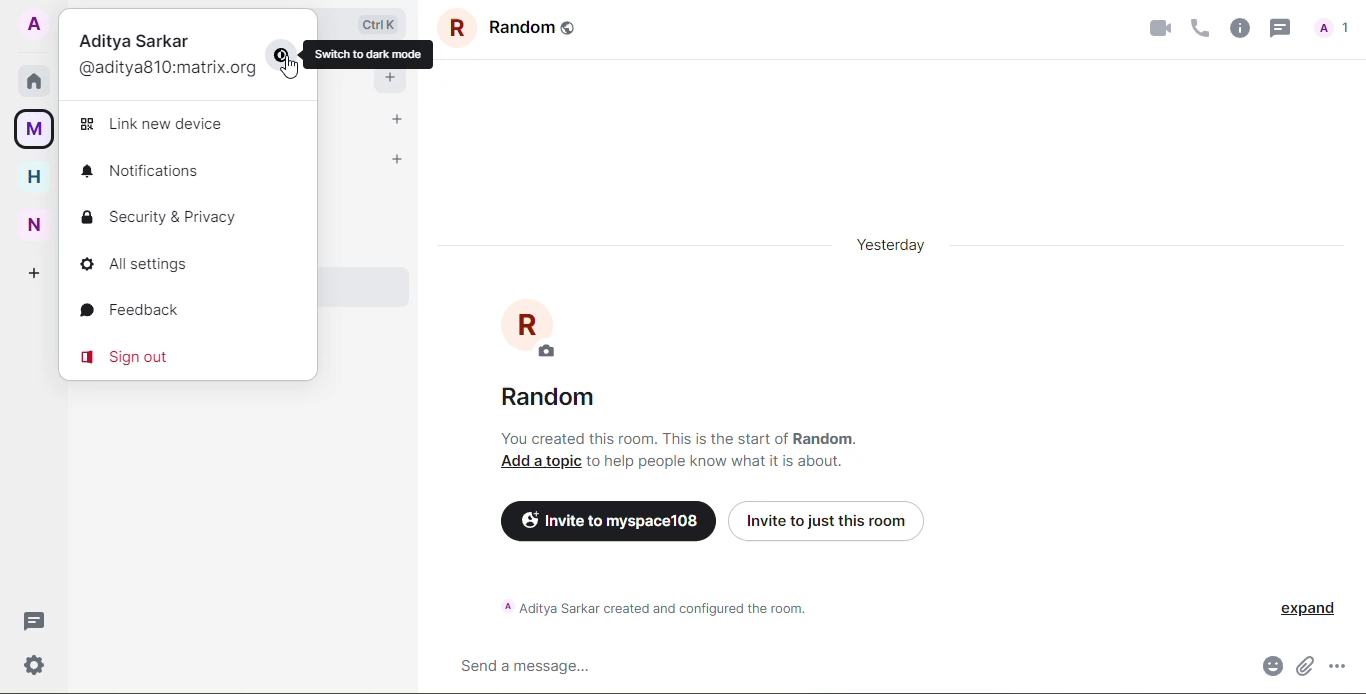  I want to click on group, so click(502, 28).